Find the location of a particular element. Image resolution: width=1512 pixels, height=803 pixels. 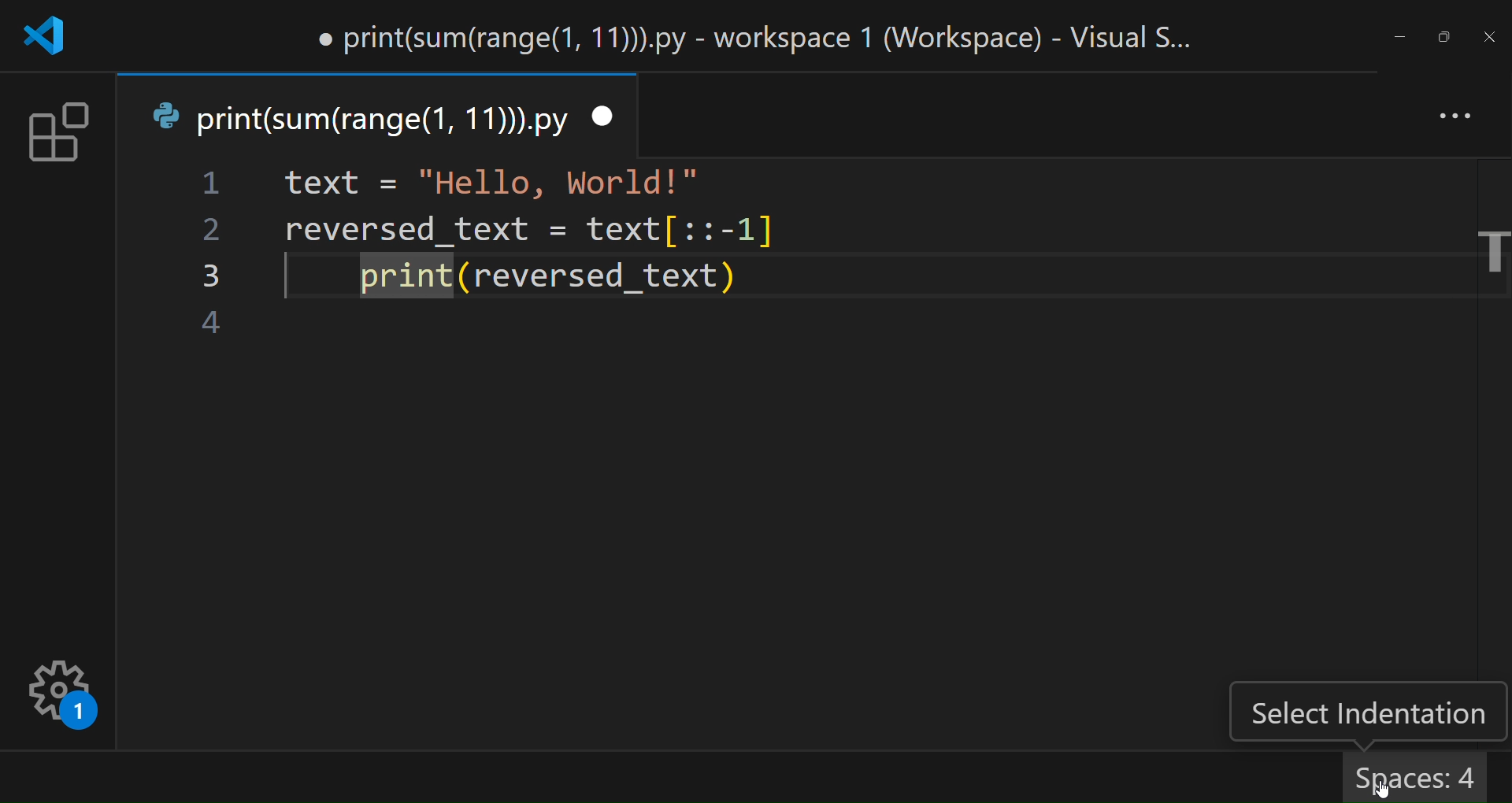

cursor is located at coordinates (1388, 782).